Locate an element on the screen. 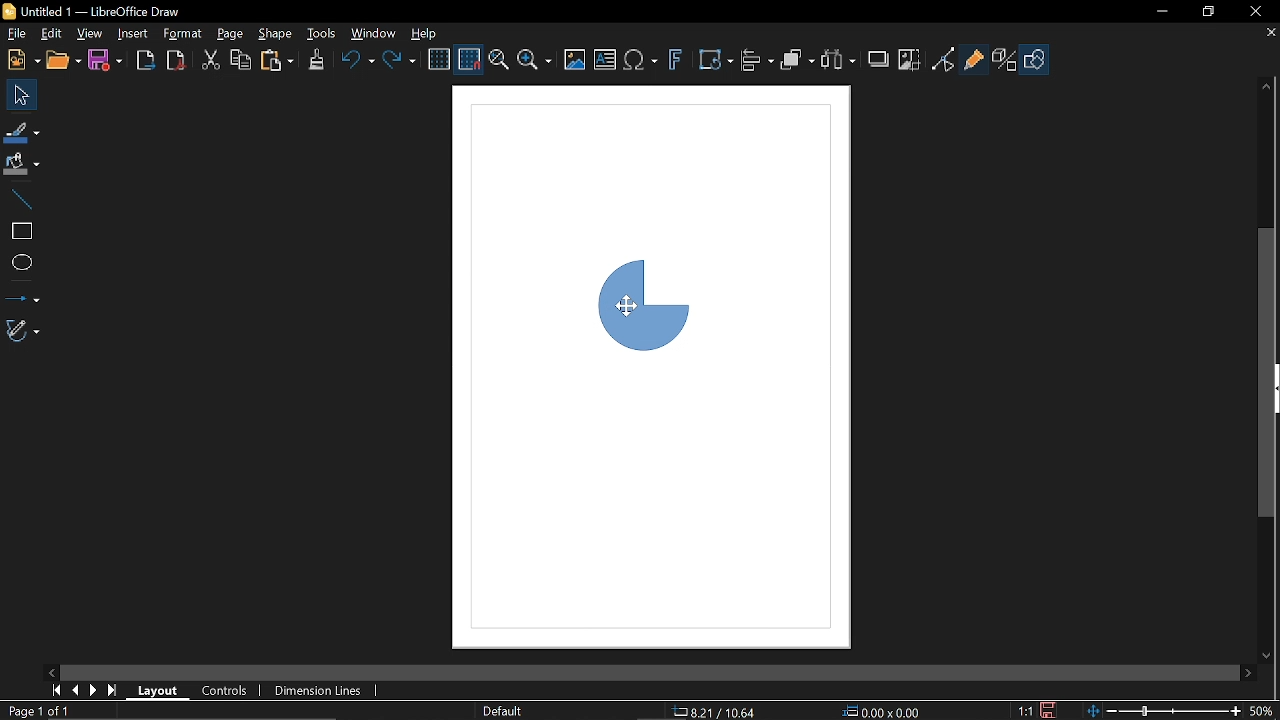 This screenshot has width=1280, height=720. 50% (Current Zoom) is located at coordinates (1264, 708).